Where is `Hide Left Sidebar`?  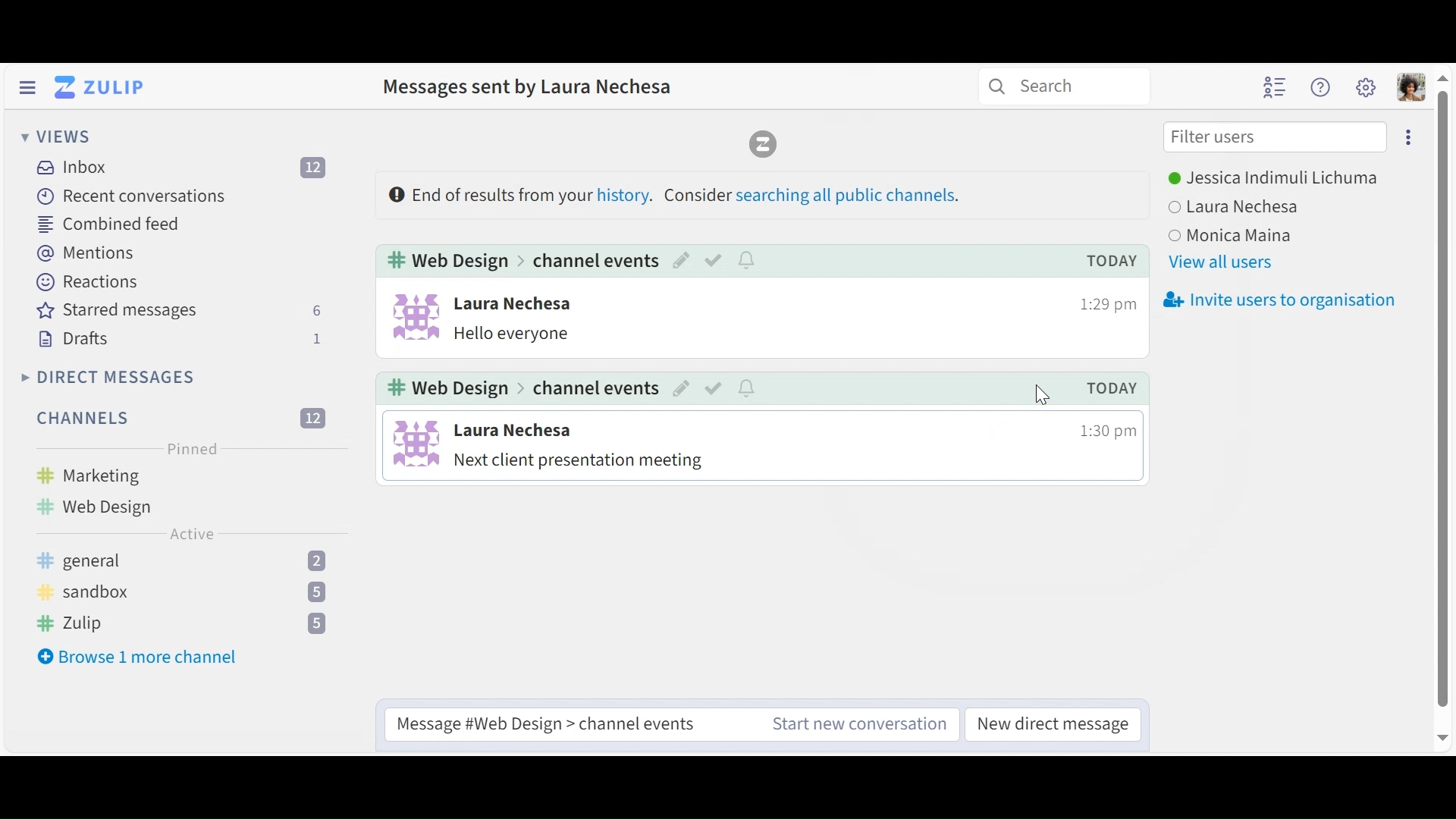
Hide Left Sidebar is located at coordinates (25, 86).